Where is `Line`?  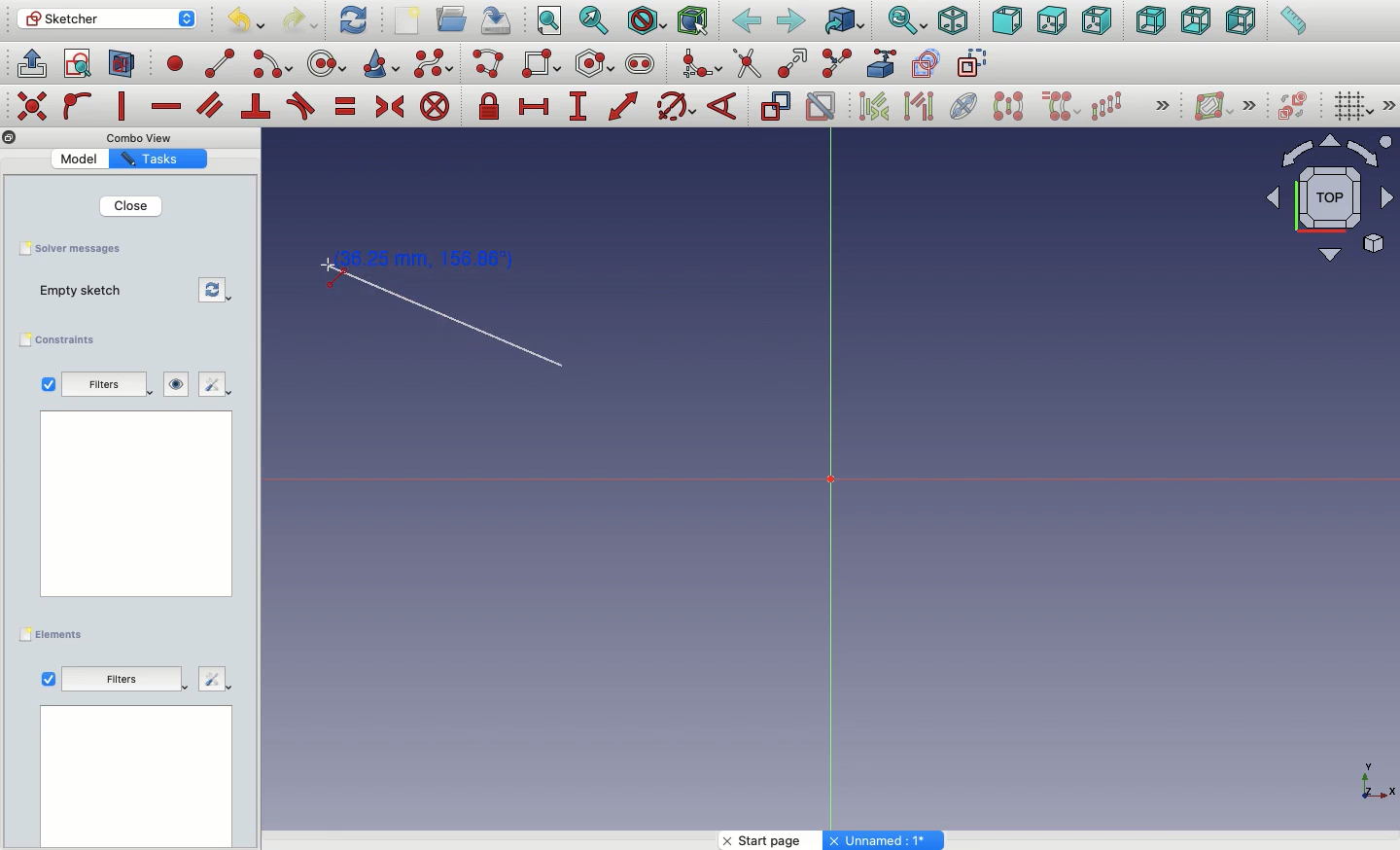
Line is located at coordinates (479, 332).